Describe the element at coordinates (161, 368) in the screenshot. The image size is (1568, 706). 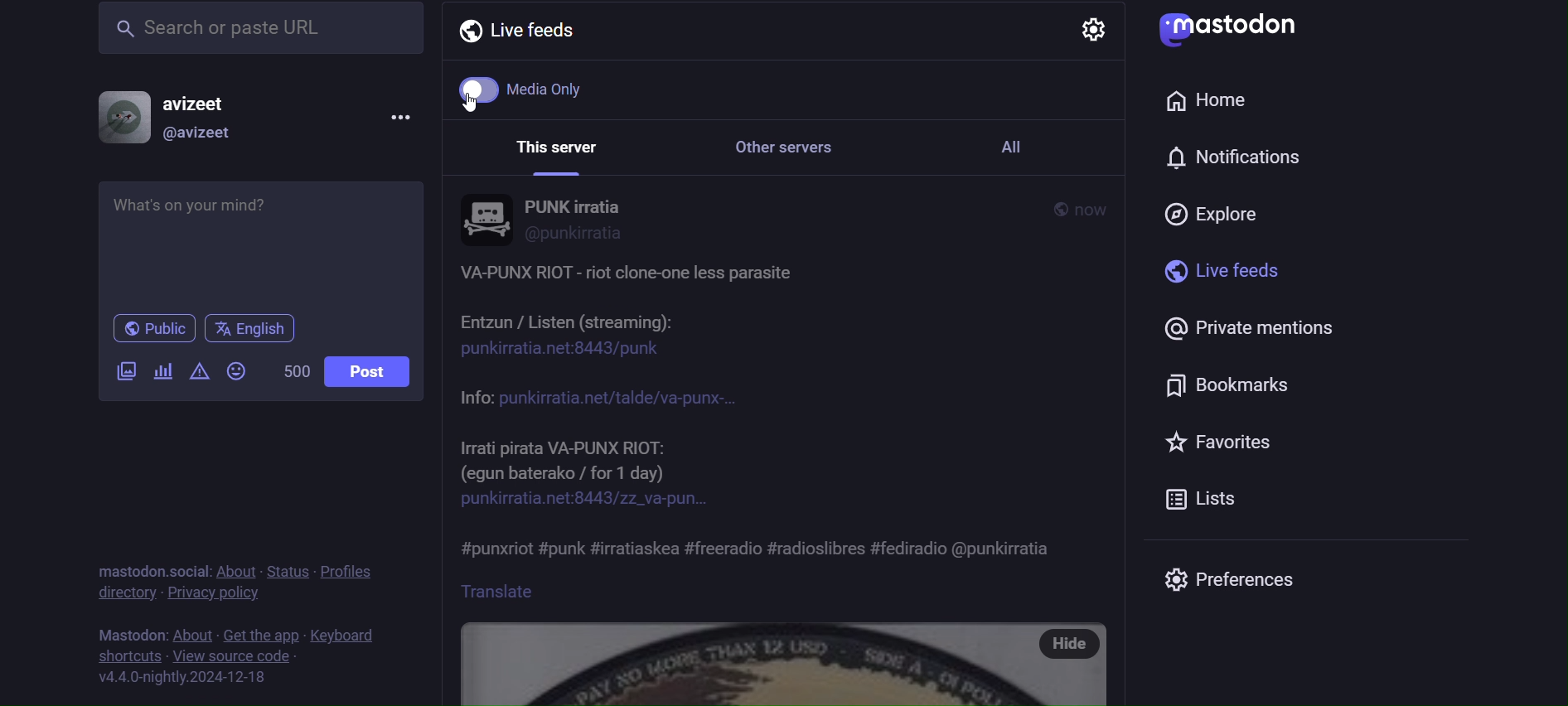
I see `add a poll` at that location.